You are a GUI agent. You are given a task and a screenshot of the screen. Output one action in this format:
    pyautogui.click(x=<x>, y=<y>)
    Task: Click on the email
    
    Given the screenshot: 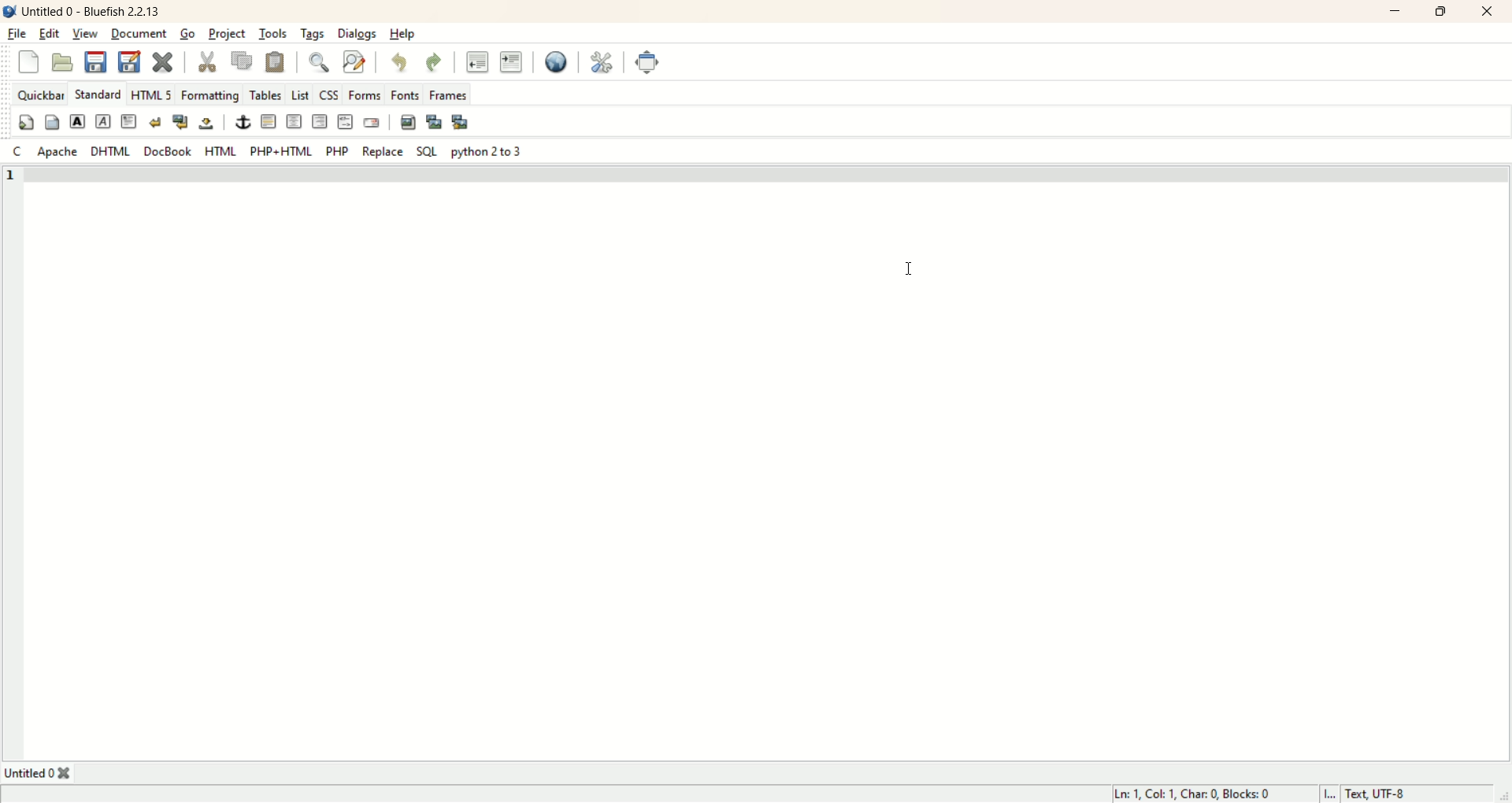 What is the action you would take?
    pyautogui.click(x=370, y=122)
    